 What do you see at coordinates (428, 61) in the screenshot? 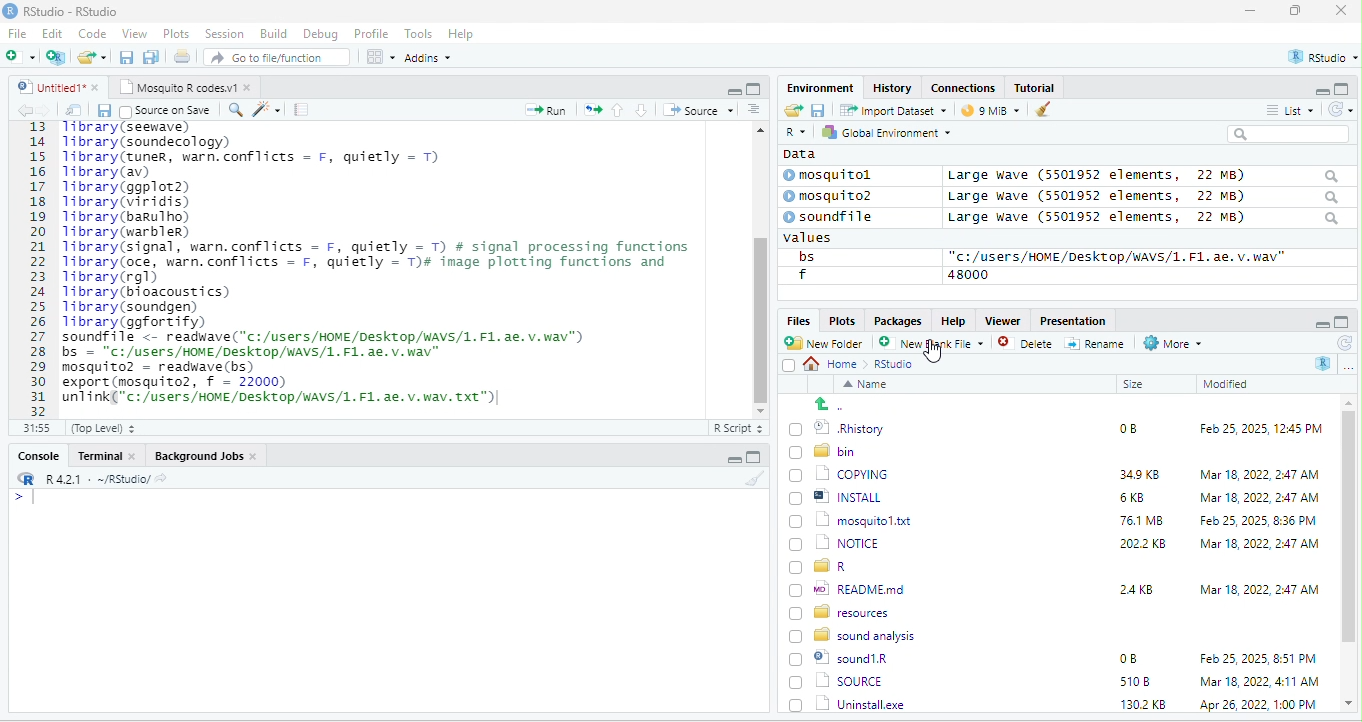
I see `Adonns ` at bounding box center [428, 61].